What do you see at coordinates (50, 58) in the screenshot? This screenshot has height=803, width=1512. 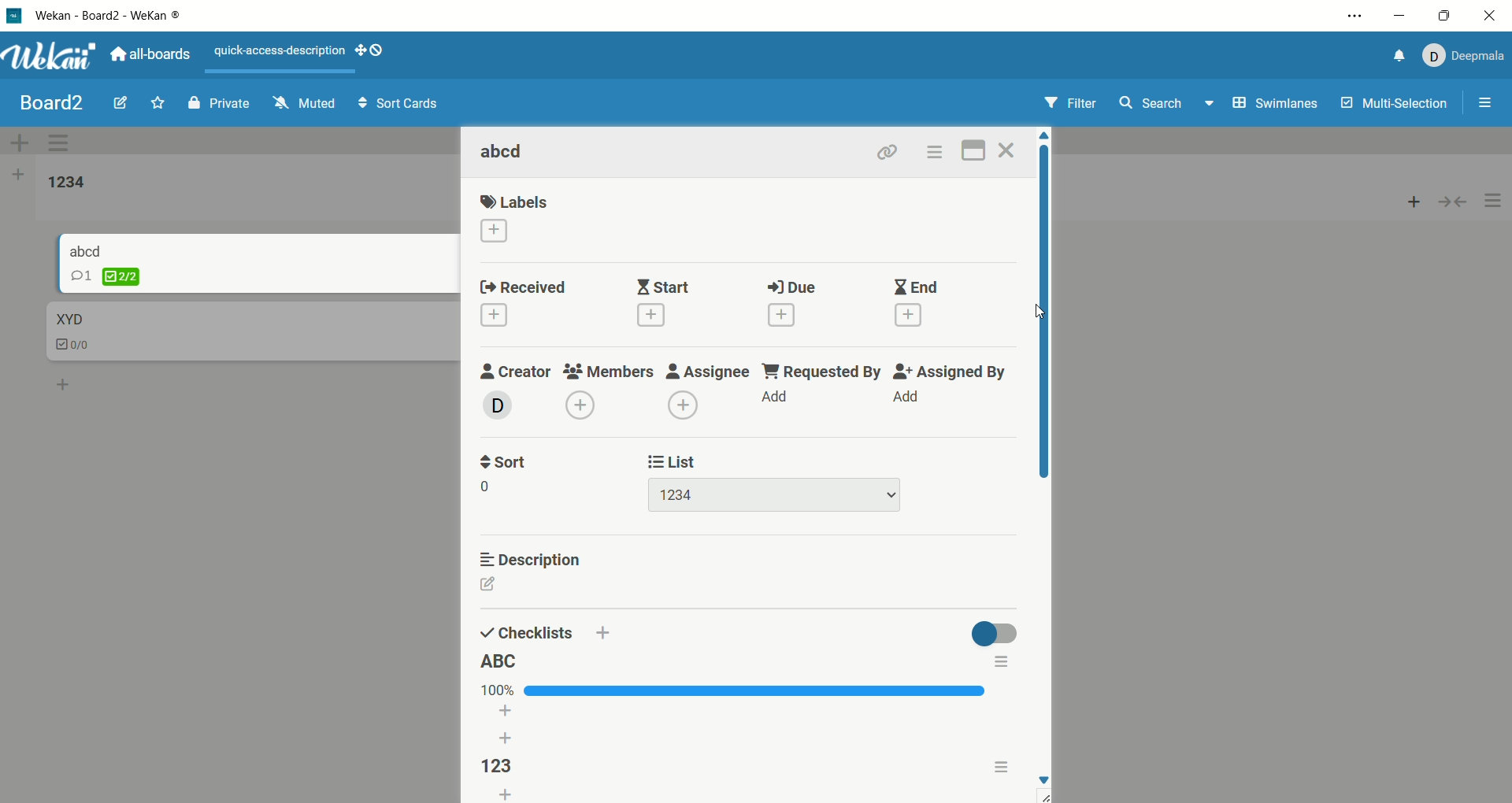 I see `wekan` at bounding box center [50, 58].